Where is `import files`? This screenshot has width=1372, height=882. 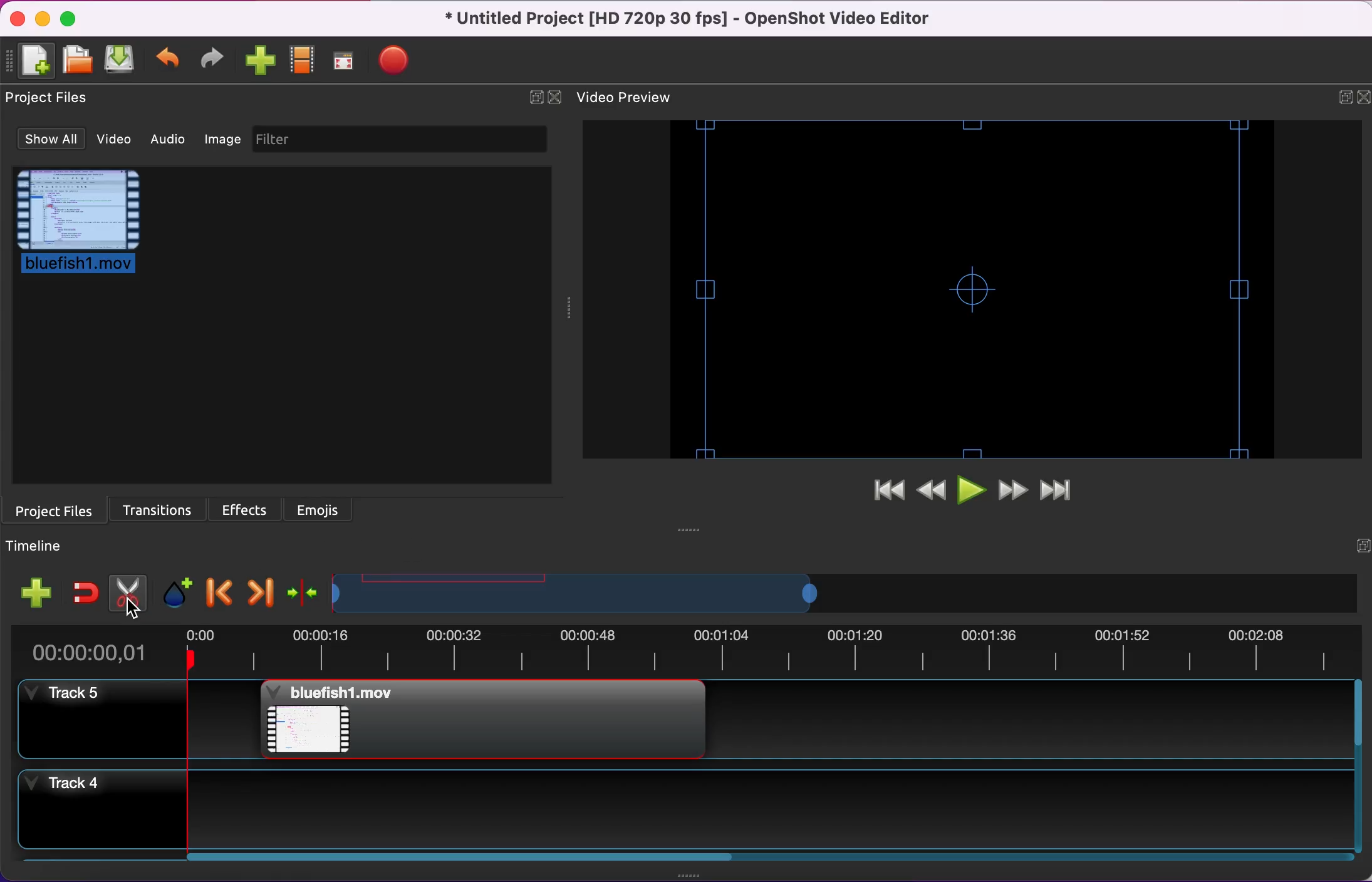 import files is located at coordinates (261, 61).